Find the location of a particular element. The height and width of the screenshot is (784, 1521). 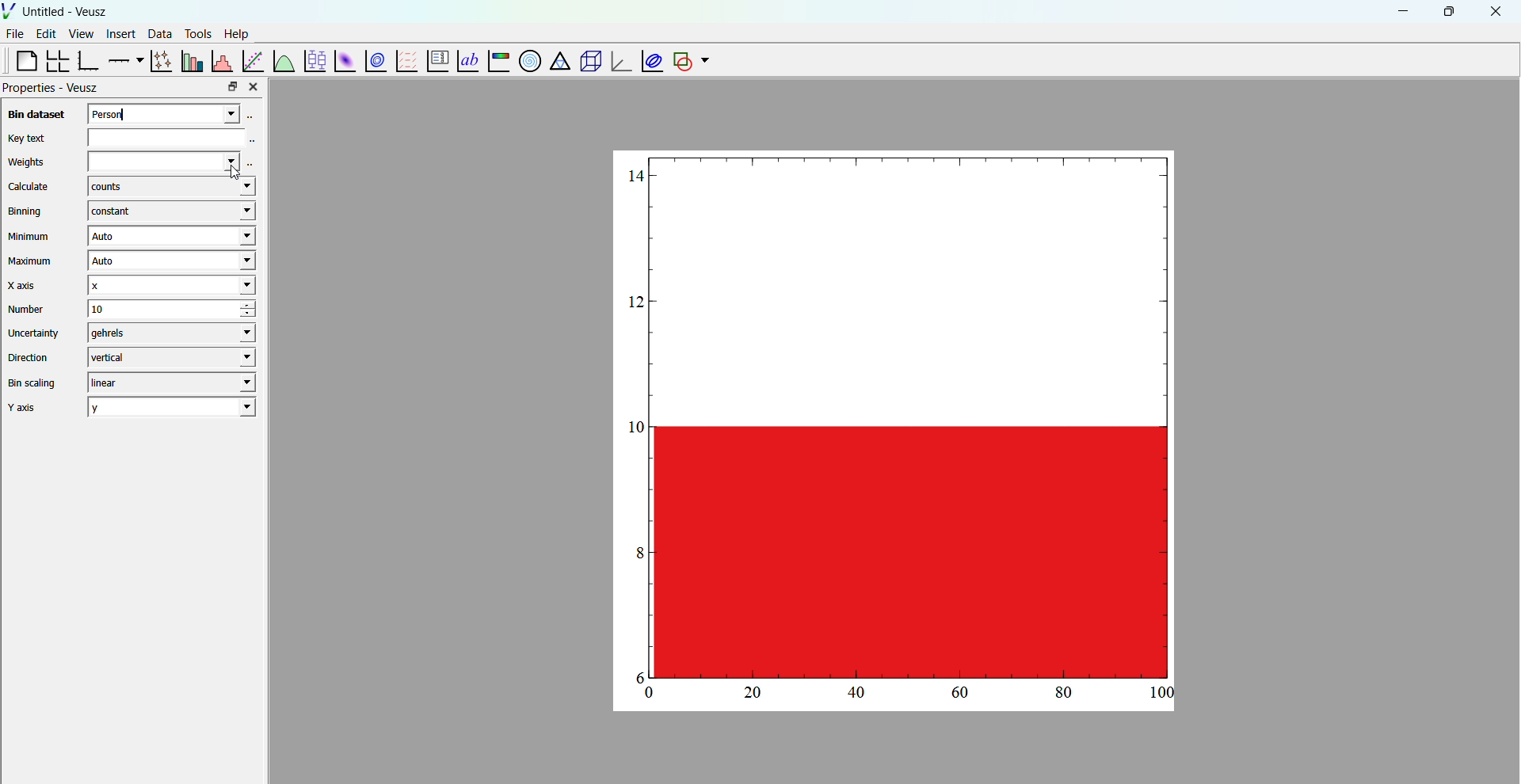

minimize is located at coordinates (1401, 10).